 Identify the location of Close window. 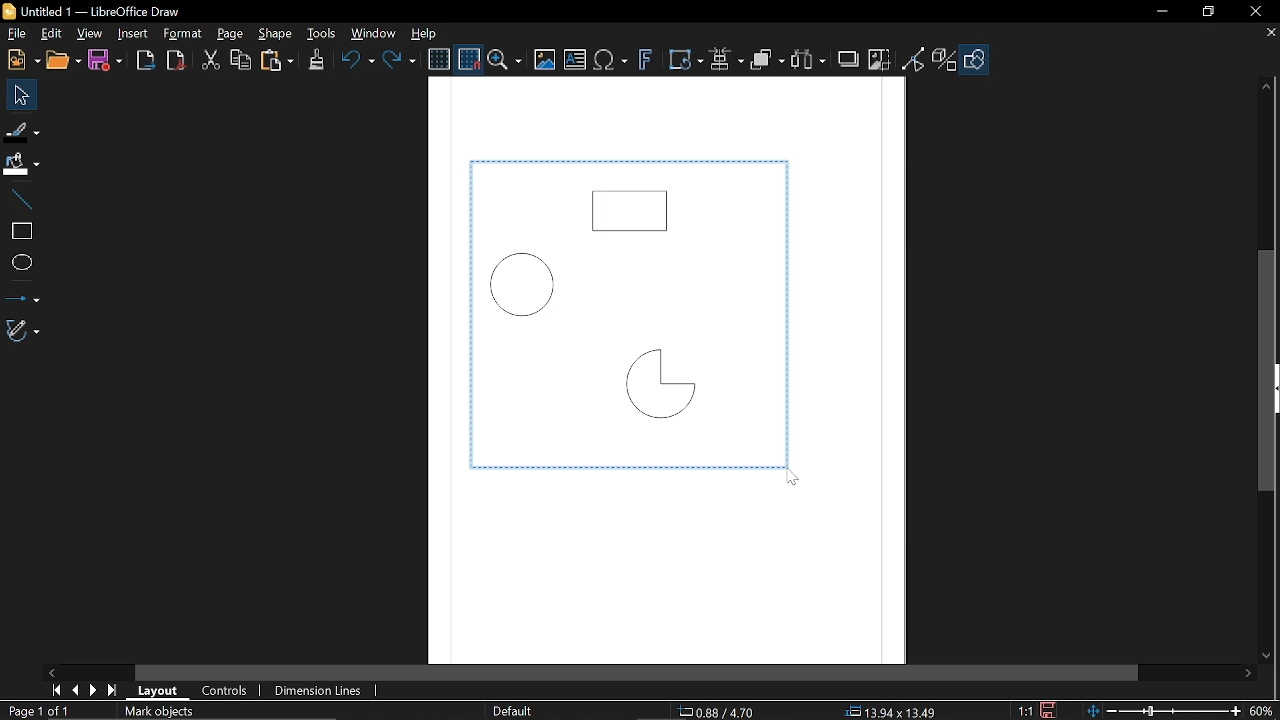
(1254, 9).